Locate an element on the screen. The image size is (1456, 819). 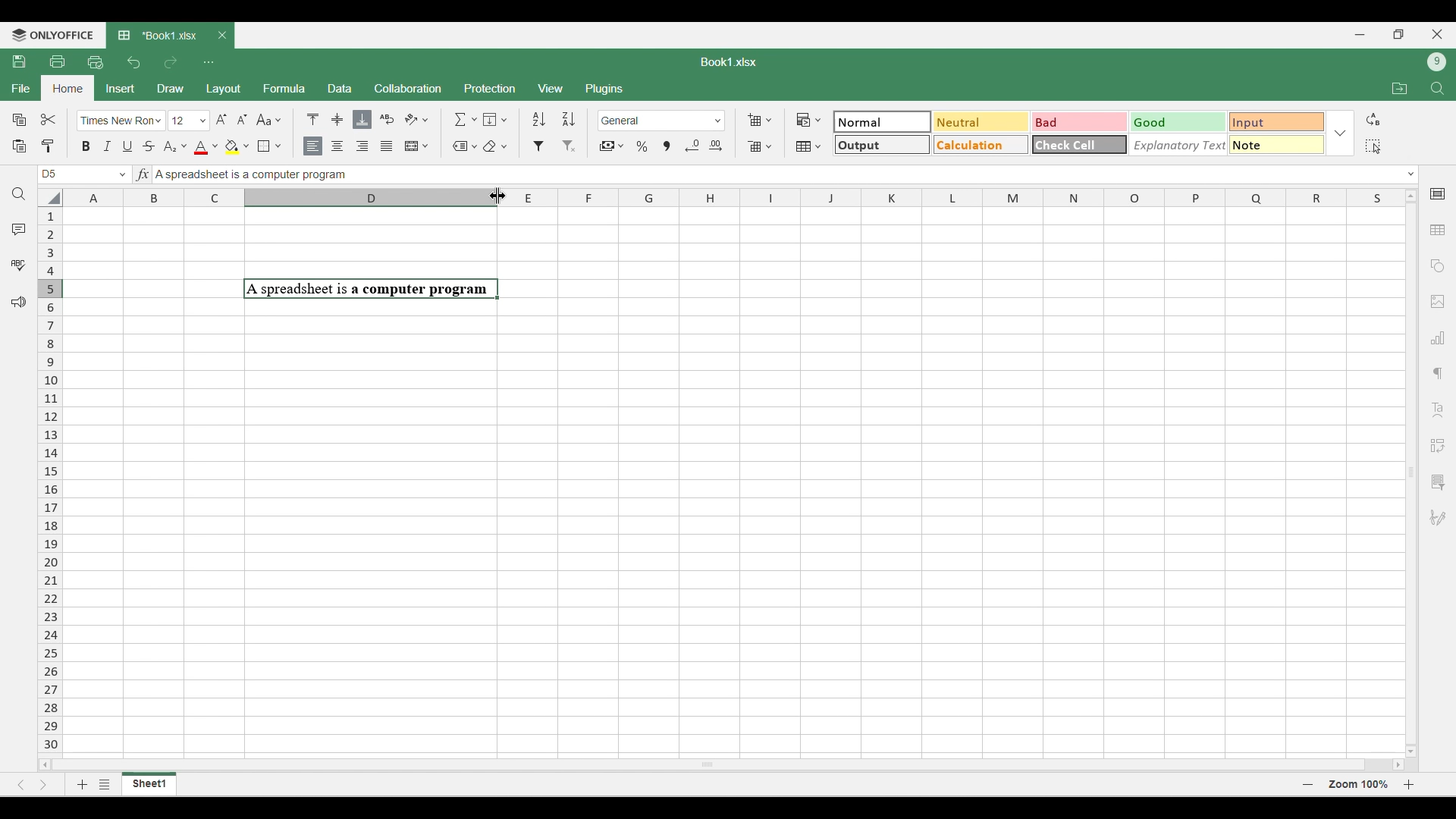
Comment is located at coordinates (19, 229).